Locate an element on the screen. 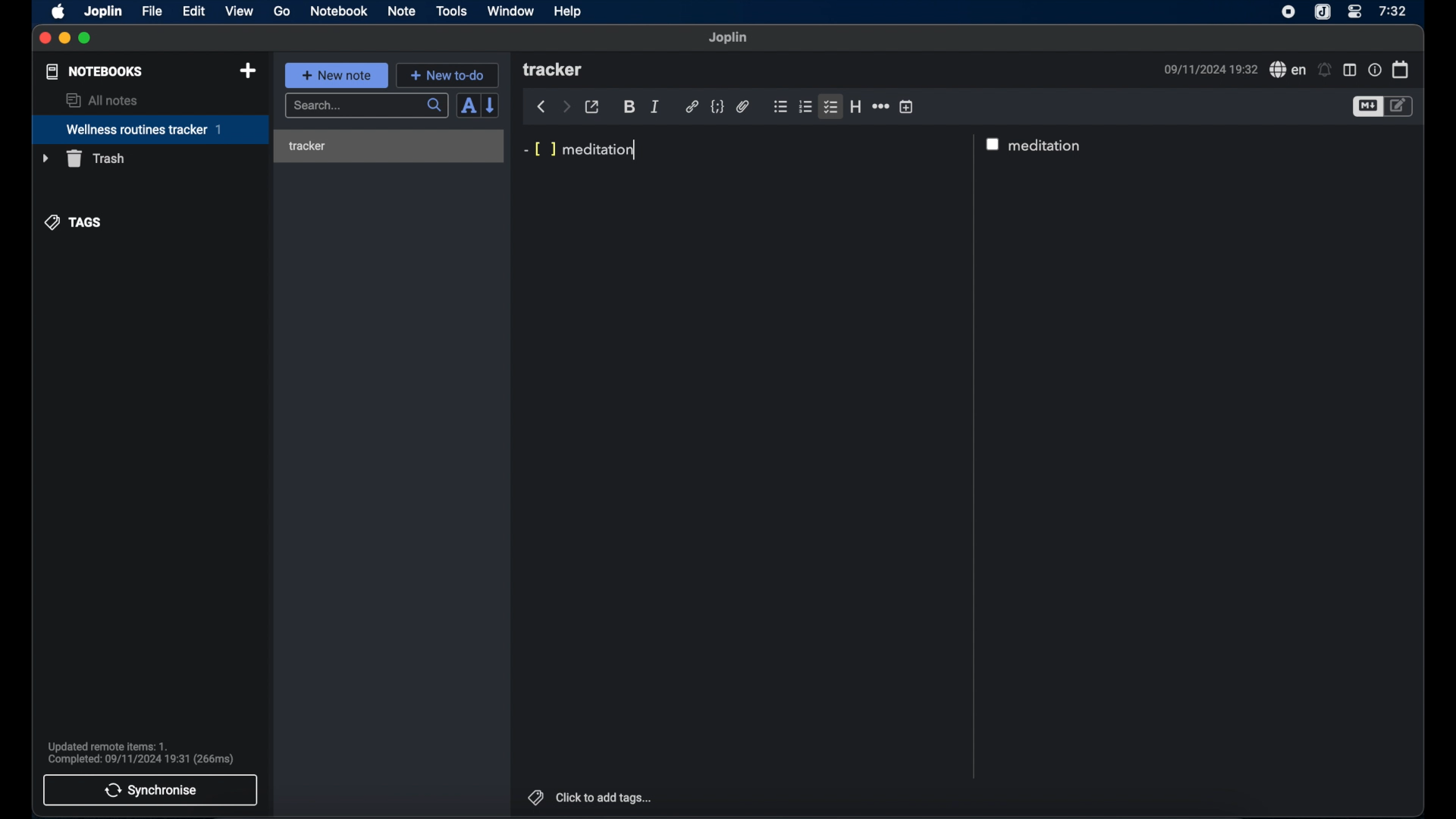  toggle editor is located at coordinates (1401, 107).